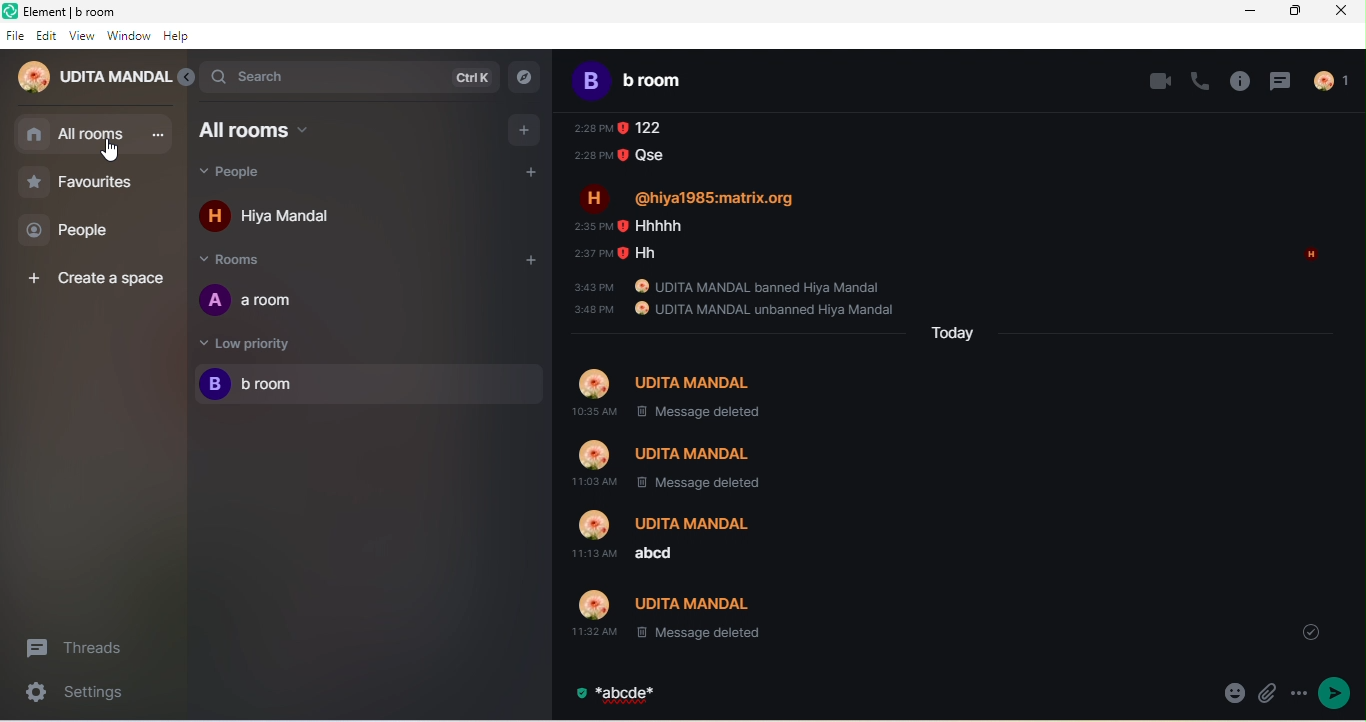  Describe the element at coordinates (1338, 80) in the screenshot. I see `people` at that location.